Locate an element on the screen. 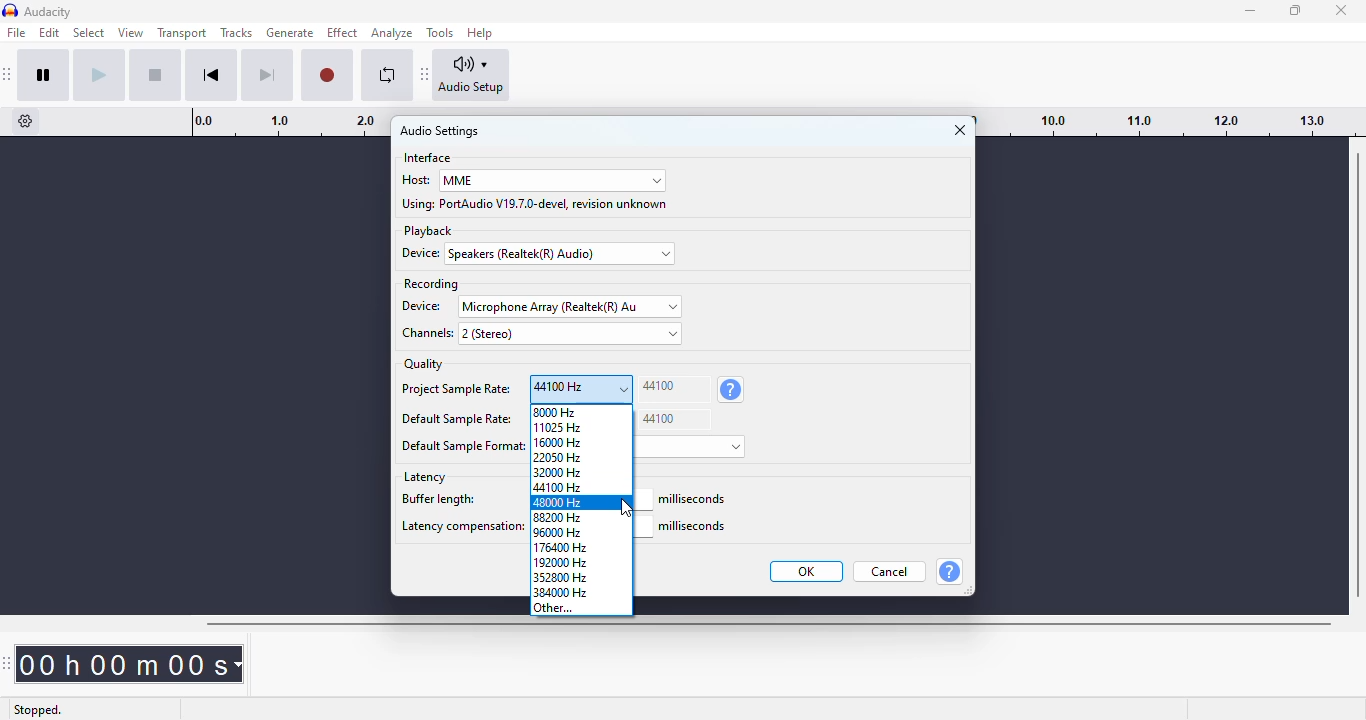  audacity transport toolbar is located at coordinates (8, 74).